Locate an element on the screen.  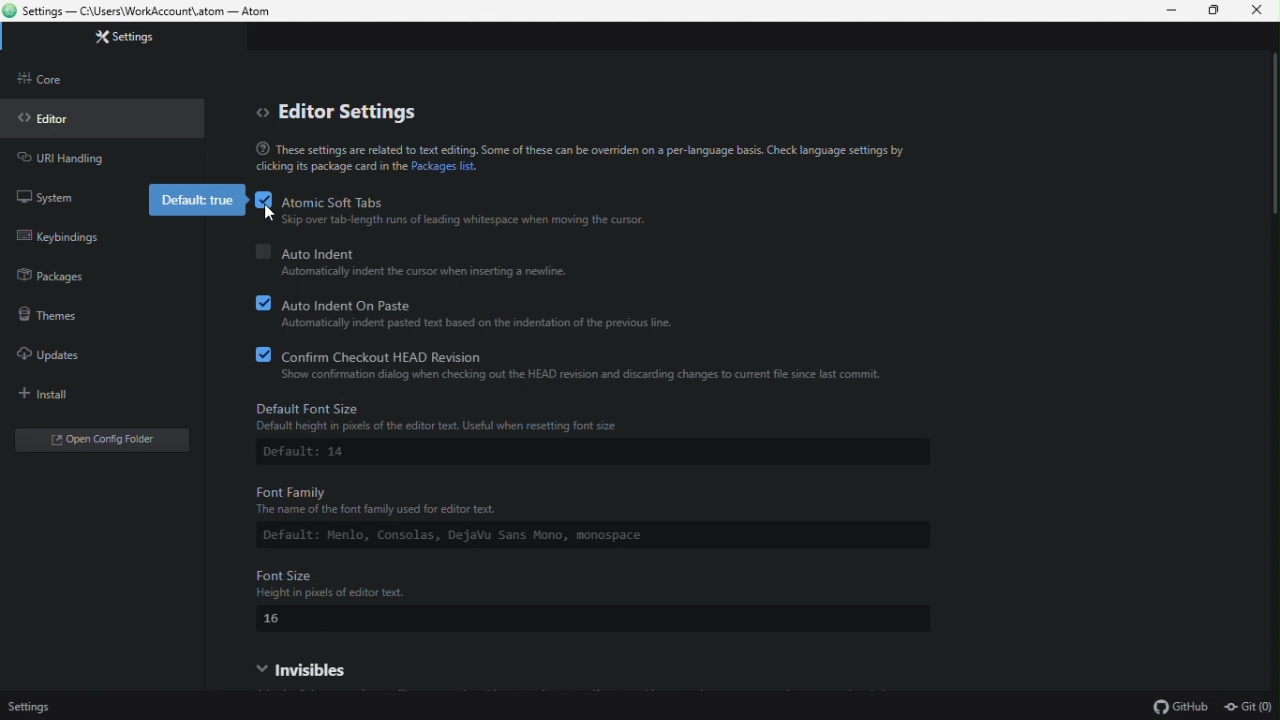
github is located at coordinates (1178, 707).